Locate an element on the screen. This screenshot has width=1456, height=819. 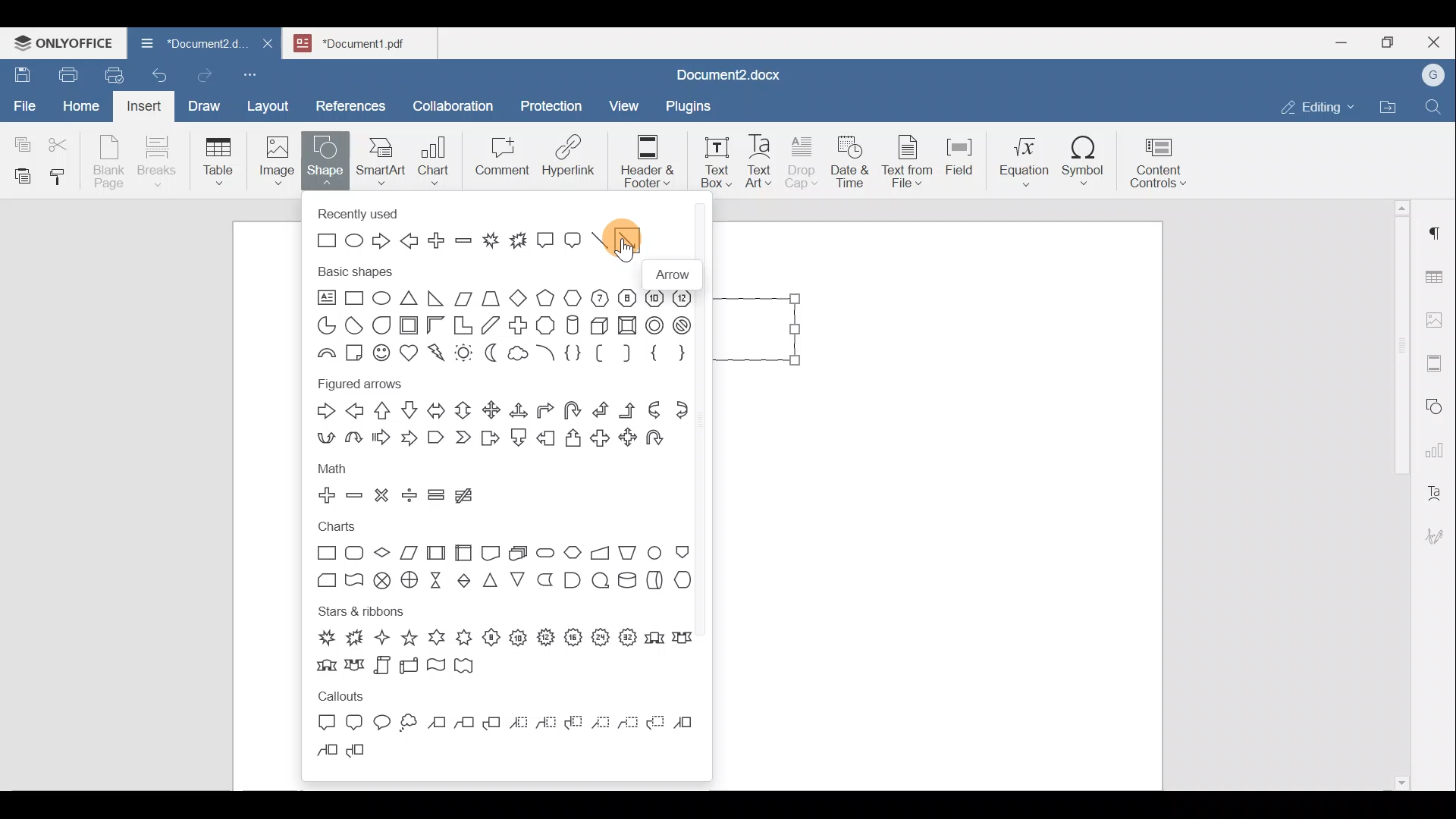
Image settings is located at coordinates (1437, 318).